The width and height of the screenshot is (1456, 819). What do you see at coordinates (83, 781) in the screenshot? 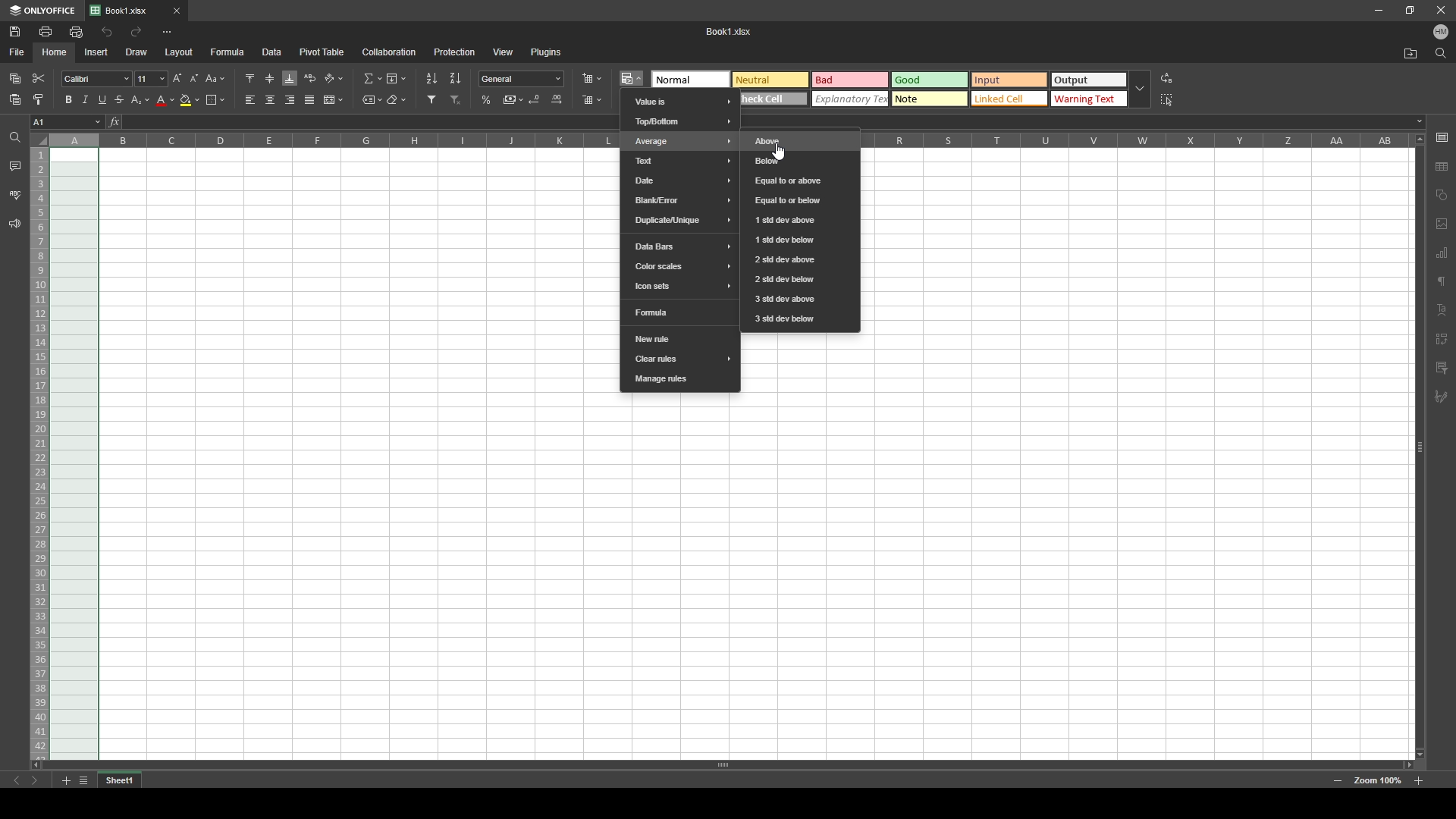
I see `list of sheets` at bounding box center [83, 781].